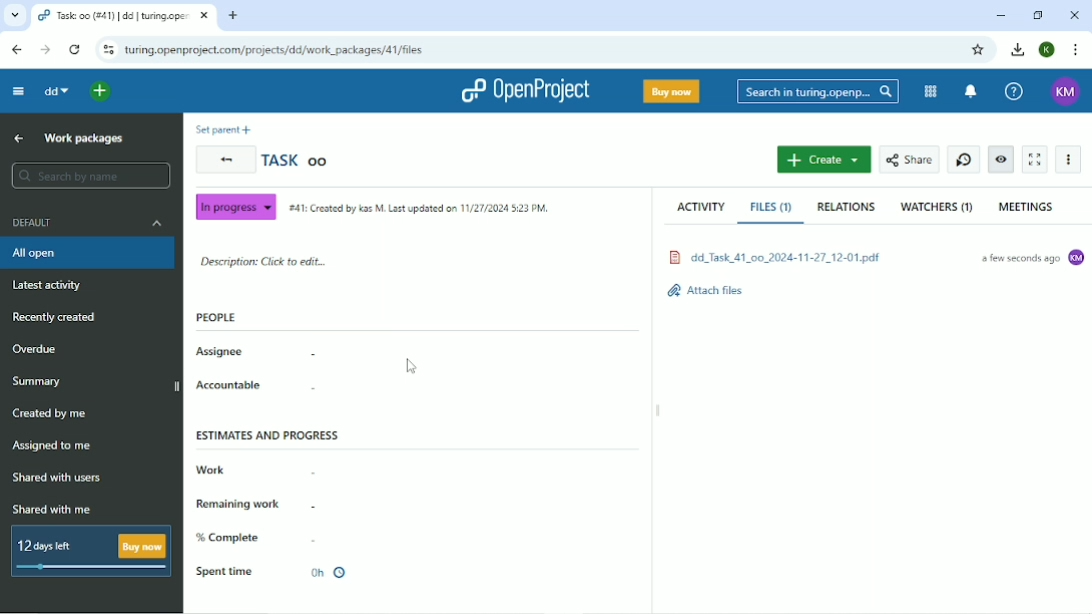  I want to click on Restore down, so click(1037, 15).